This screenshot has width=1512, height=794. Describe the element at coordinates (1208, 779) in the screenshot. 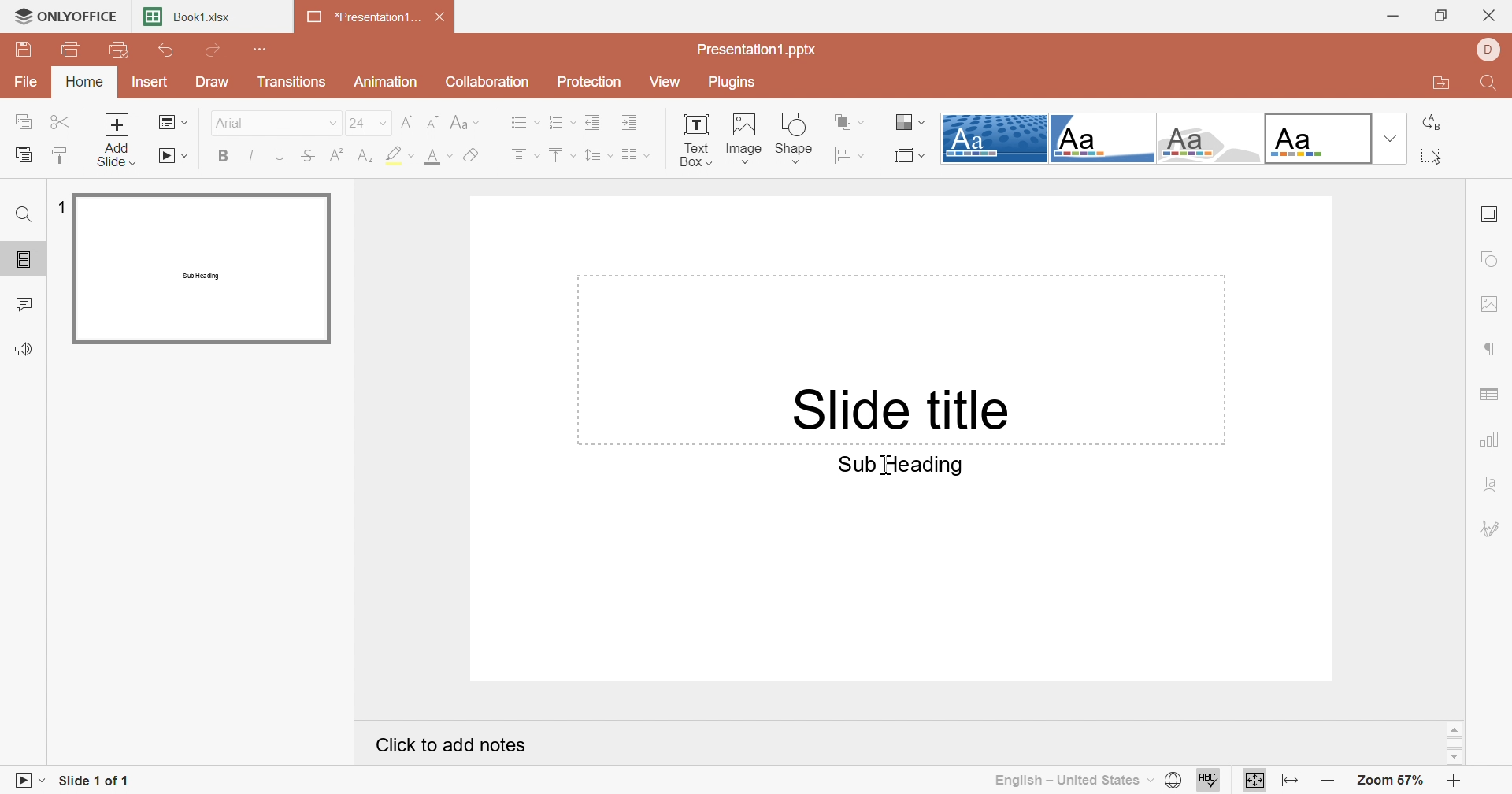

I see `Check spelling` at that location.